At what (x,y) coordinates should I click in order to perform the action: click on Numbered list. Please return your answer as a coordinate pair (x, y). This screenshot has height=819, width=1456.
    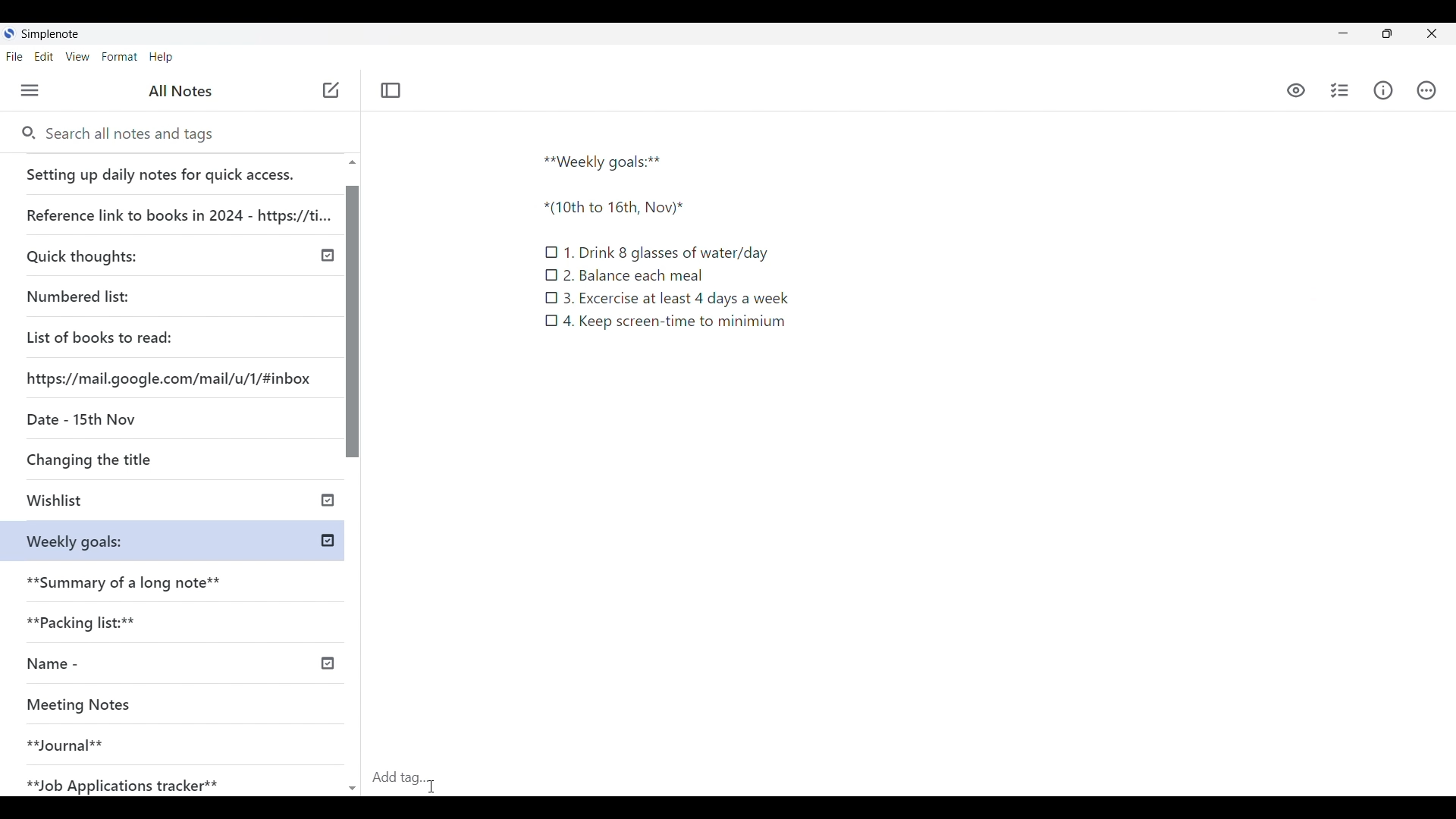
    Looking at the image, I should click on (121, 293).